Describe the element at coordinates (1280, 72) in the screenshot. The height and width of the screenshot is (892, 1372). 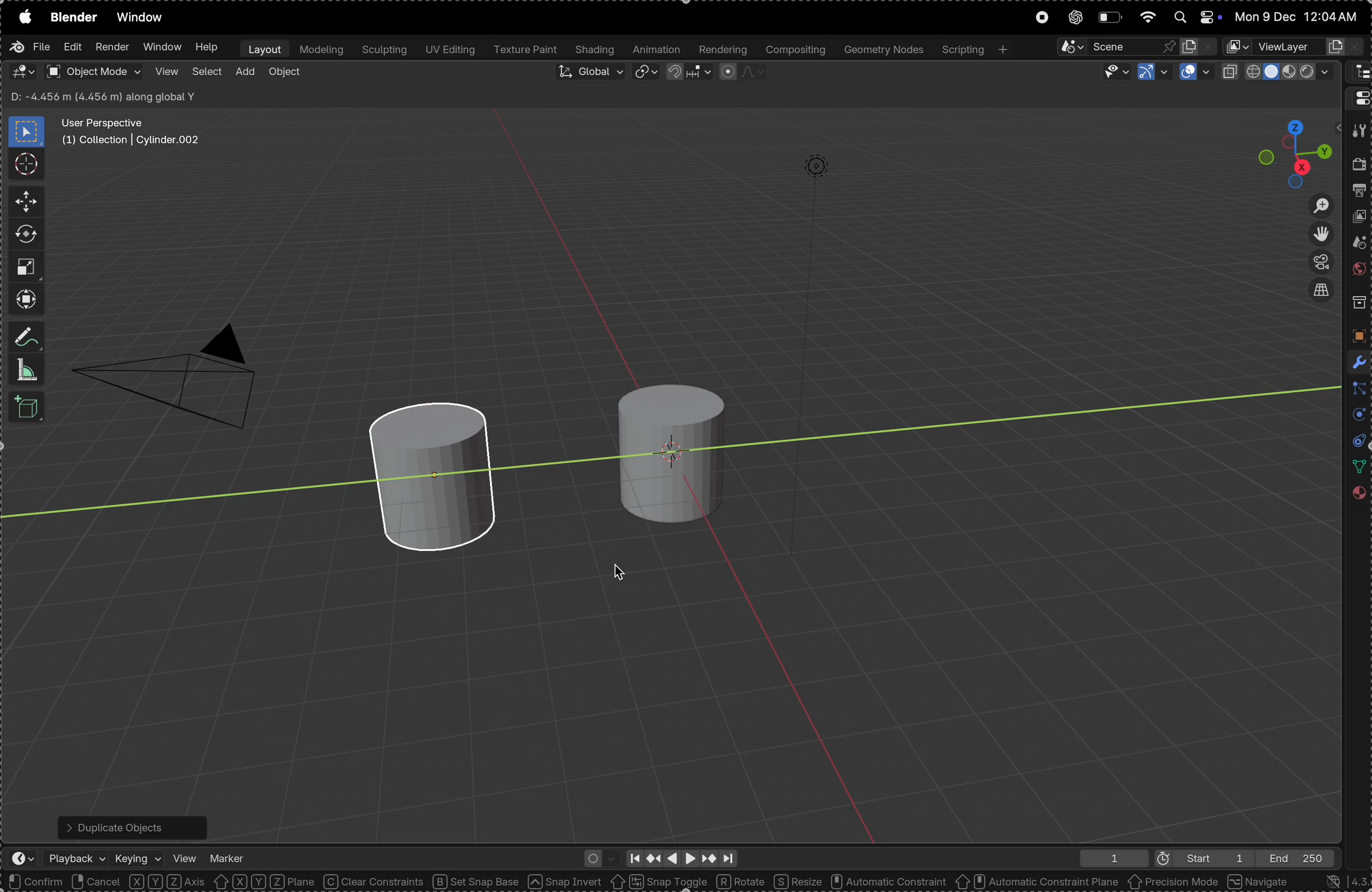
I see `view point shading` at that location.